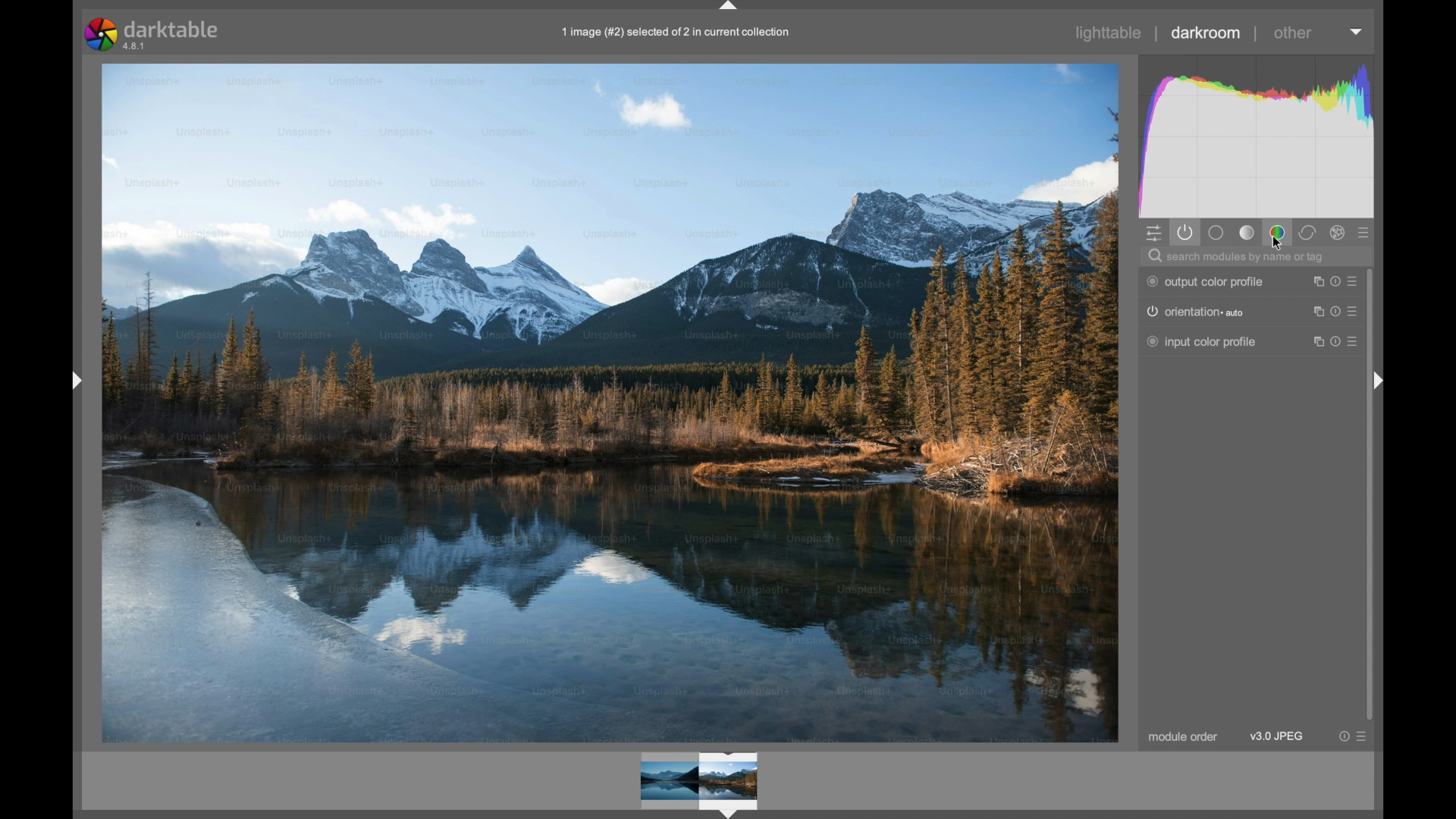 The image size is (1456, 819). What do you see at coordinates (1307, 234) in the screenshot?
I see `correct` at bounding box center [1307, 234].